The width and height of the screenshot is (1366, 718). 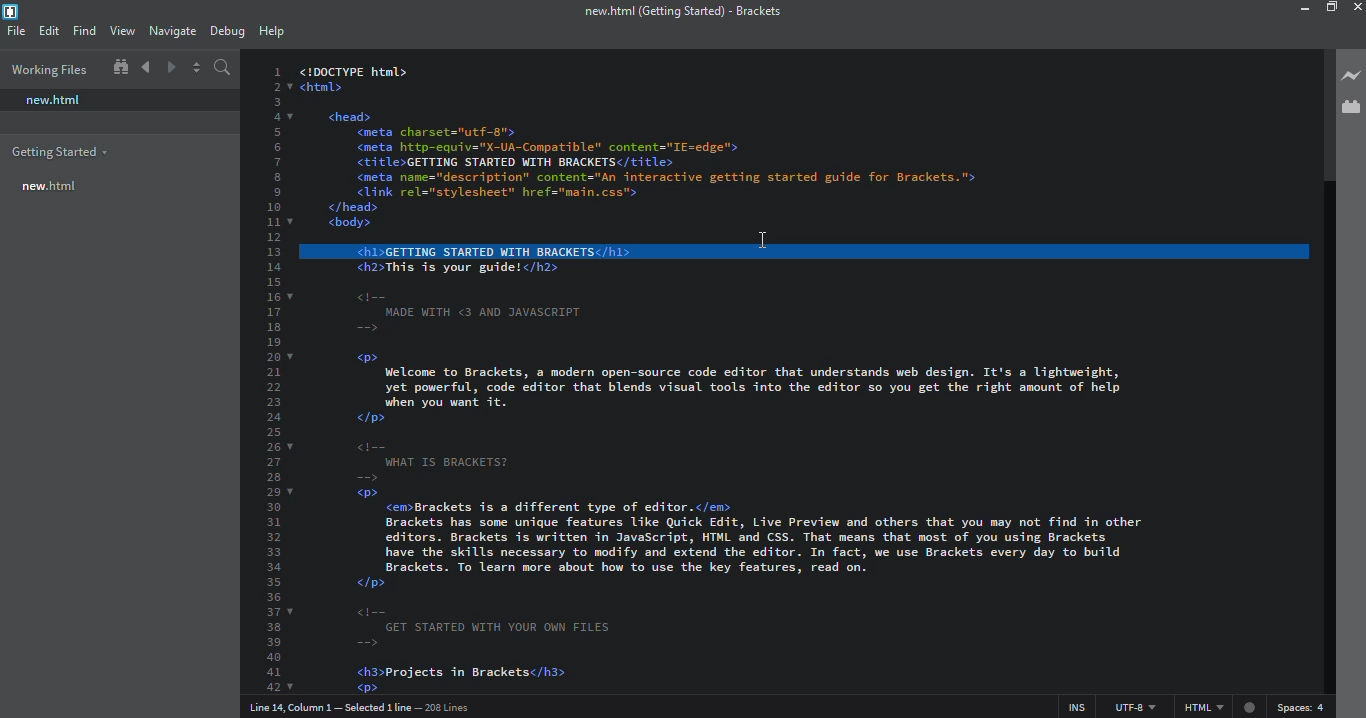 I want to click on line selected, so click(x=495, y=250).